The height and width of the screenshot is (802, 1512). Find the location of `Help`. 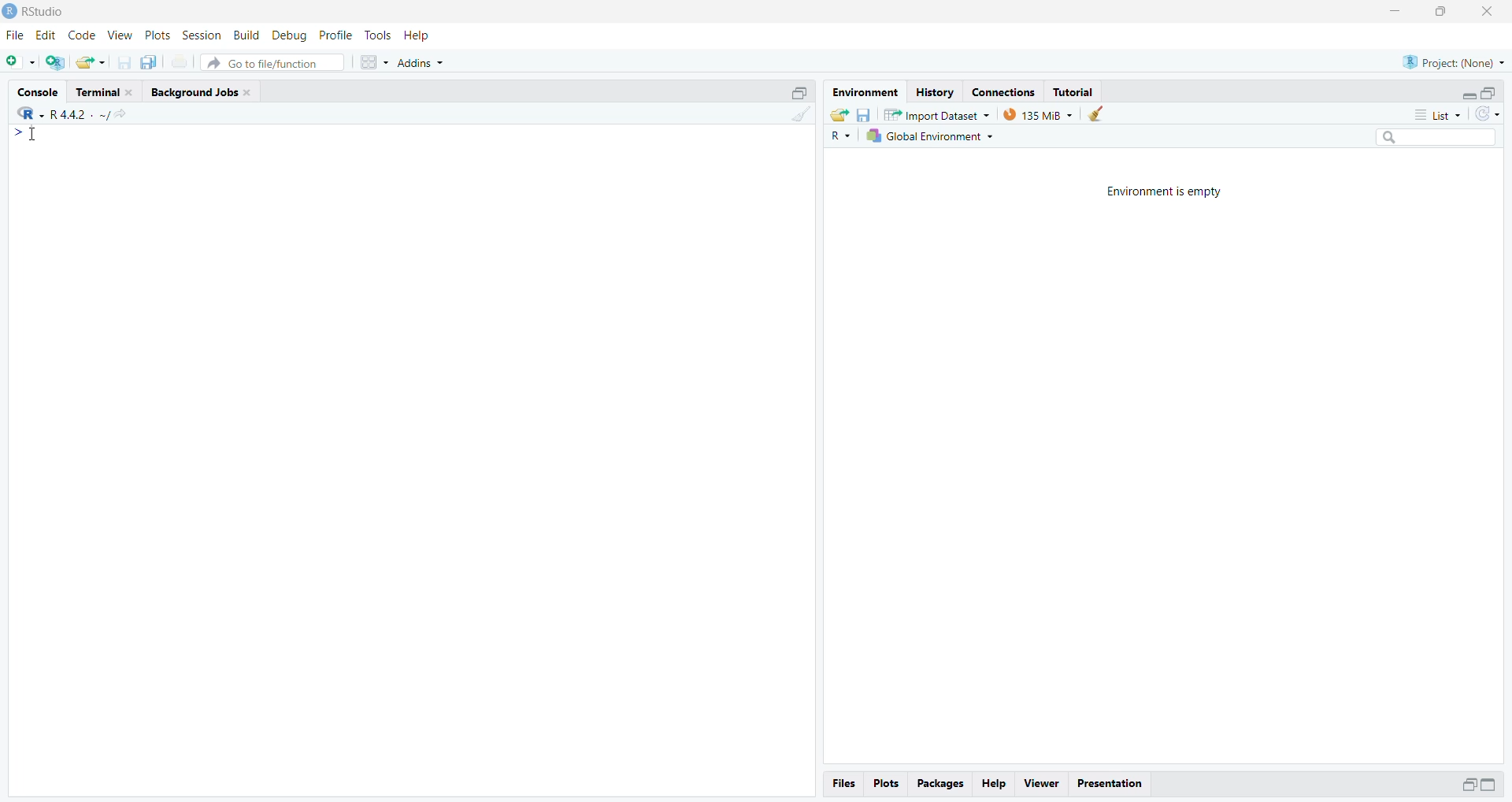

Help is located at coordinates (418, 35).